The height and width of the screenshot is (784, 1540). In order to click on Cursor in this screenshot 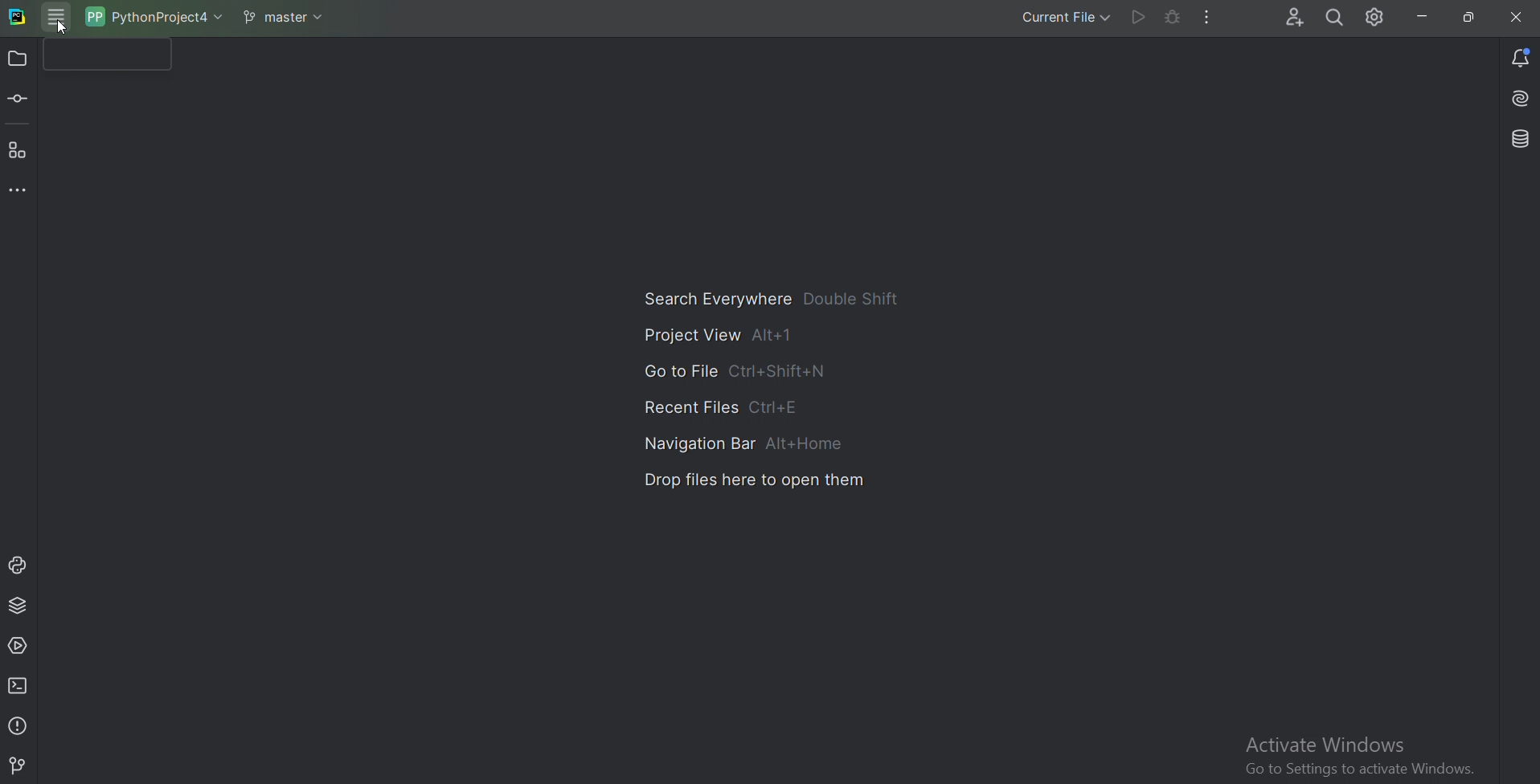, I will do `click(63, 28)`.